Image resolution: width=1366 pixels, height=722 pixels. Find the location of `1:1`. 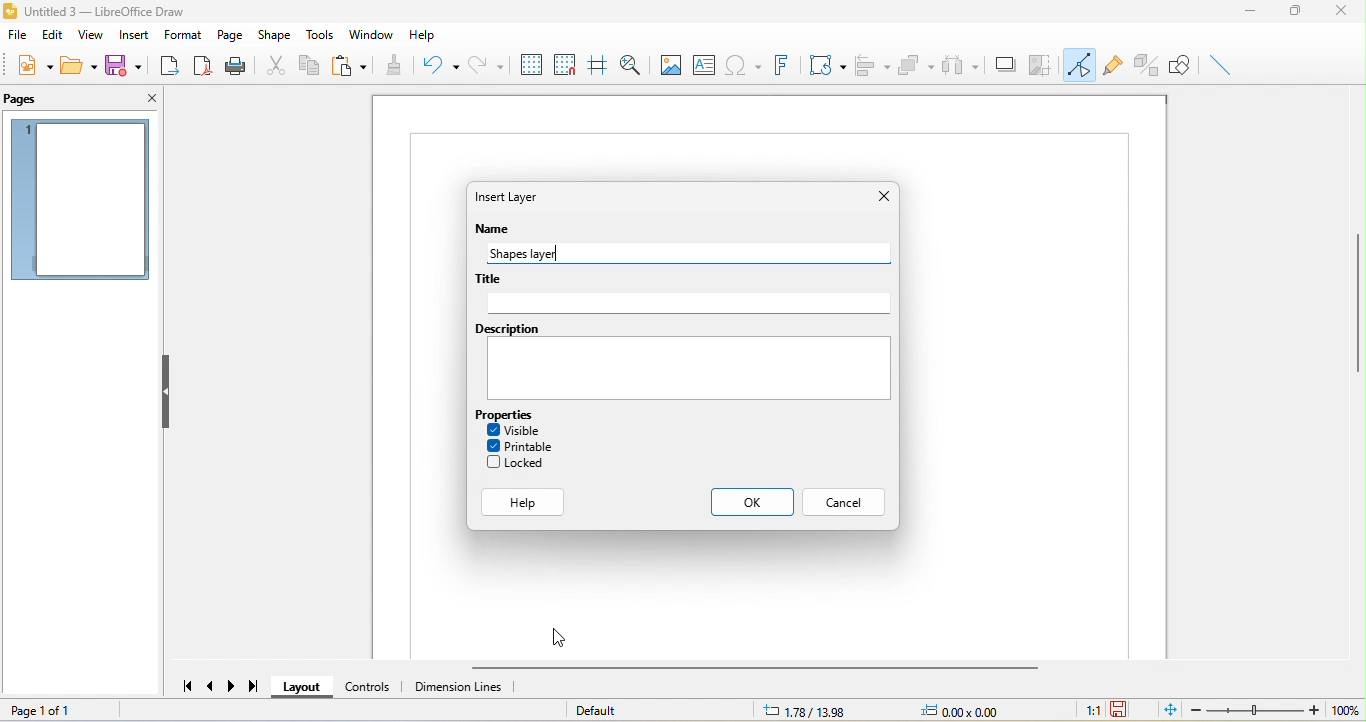

1:1 is located at coordinates (1085, 711).